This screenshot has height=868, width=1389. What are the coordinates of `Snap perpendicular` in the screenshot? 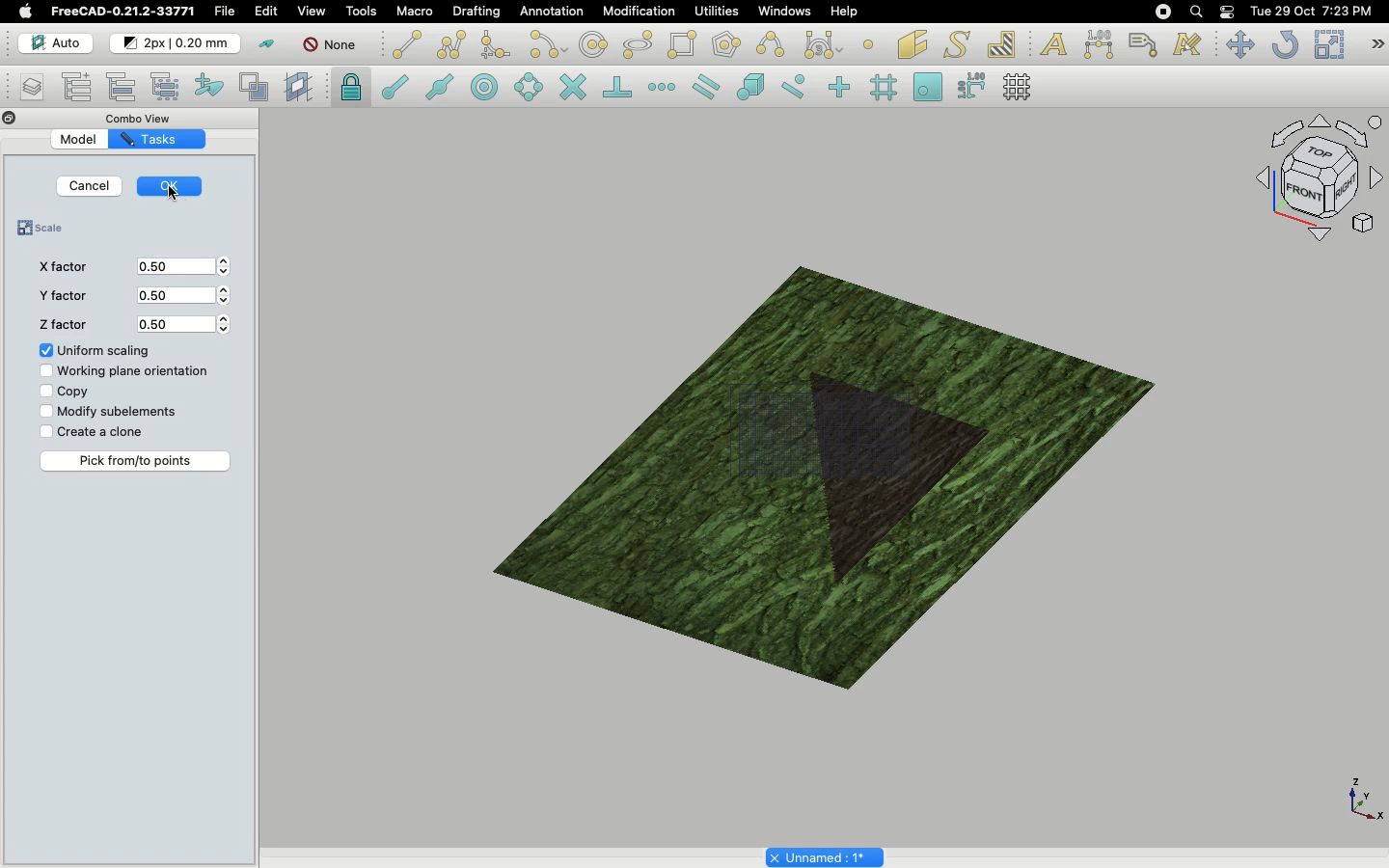 It's located at (614, 86).